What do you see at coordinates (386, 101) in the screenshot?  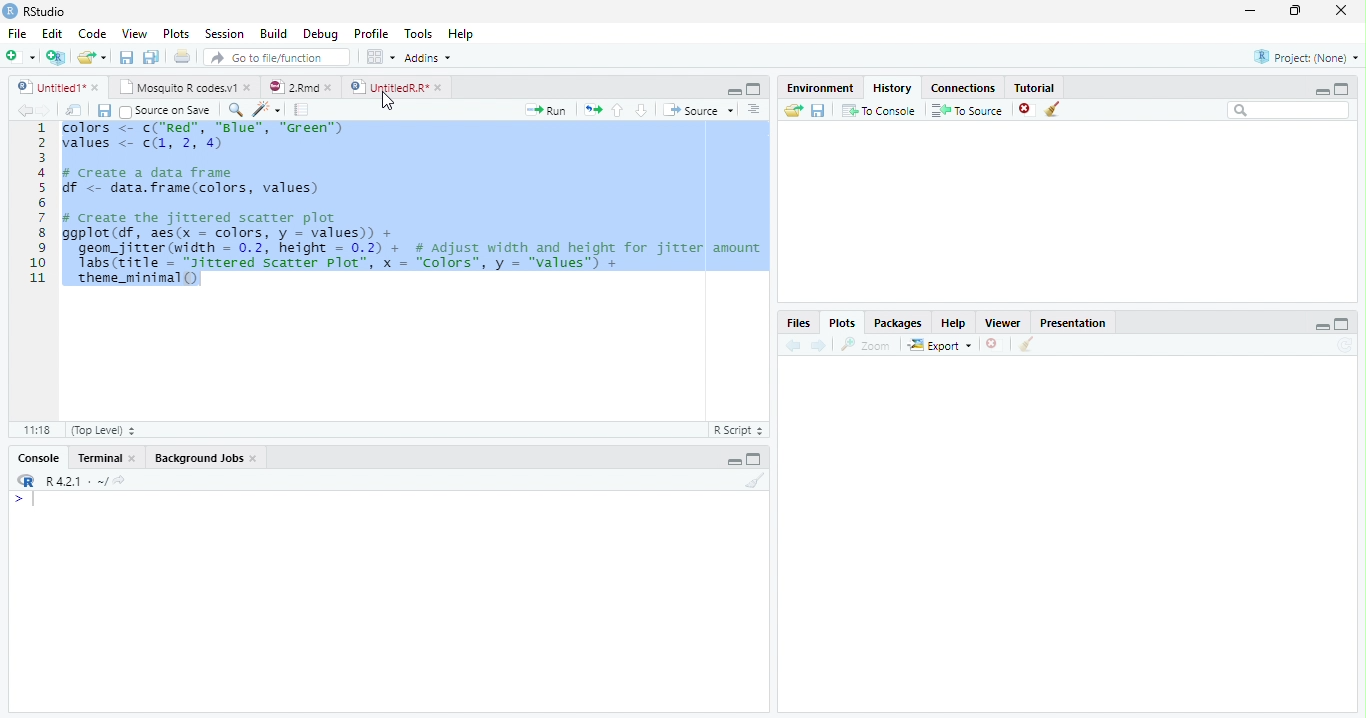 I see `cursor` at bounding box center [386, 101].